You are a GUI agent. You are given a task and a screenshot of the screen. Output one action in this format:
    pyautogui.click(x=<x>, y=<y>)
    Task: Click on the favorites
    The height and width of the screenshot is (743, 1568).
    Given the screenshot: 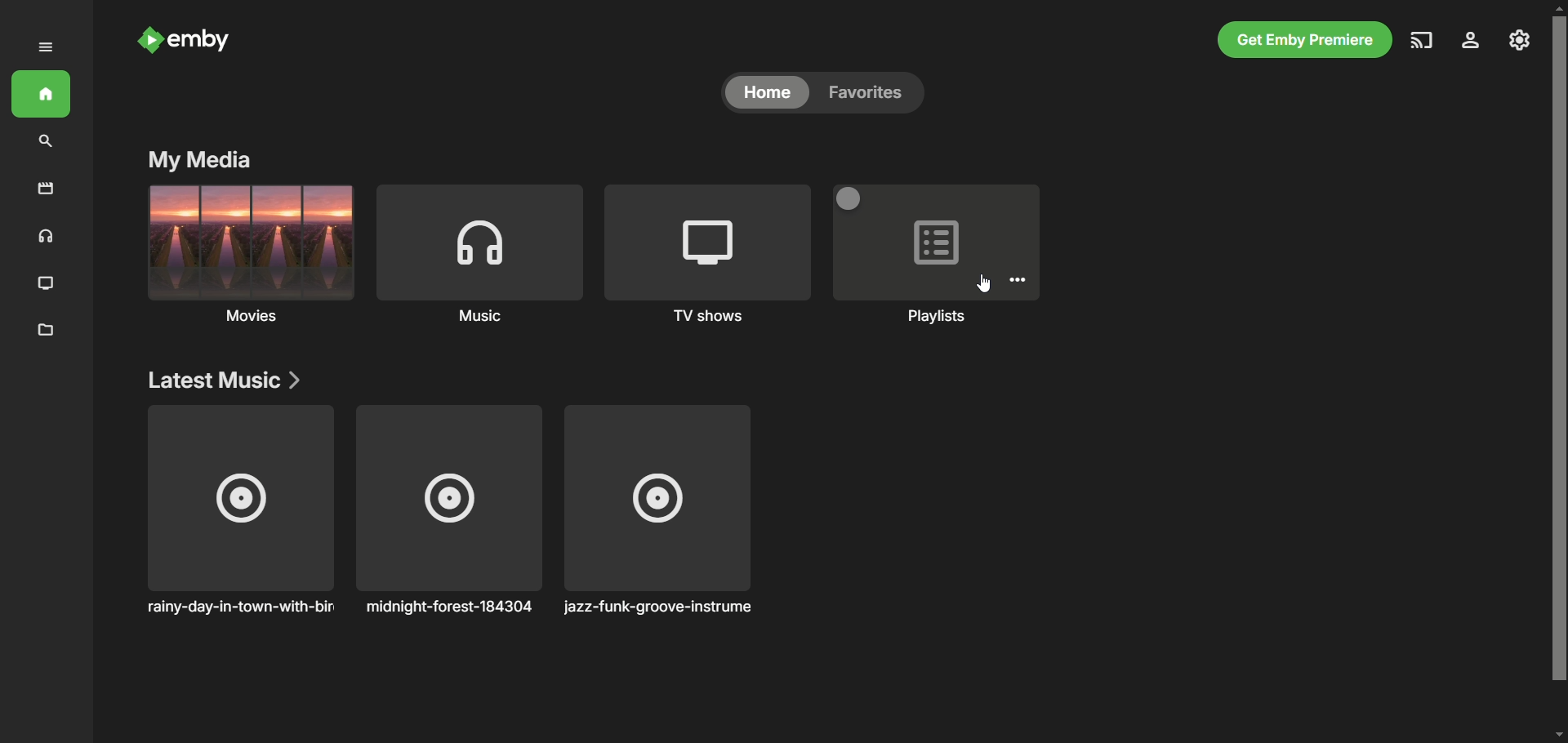 What is the action you would take?
    pyautogui.click(x=872, y=93)
    